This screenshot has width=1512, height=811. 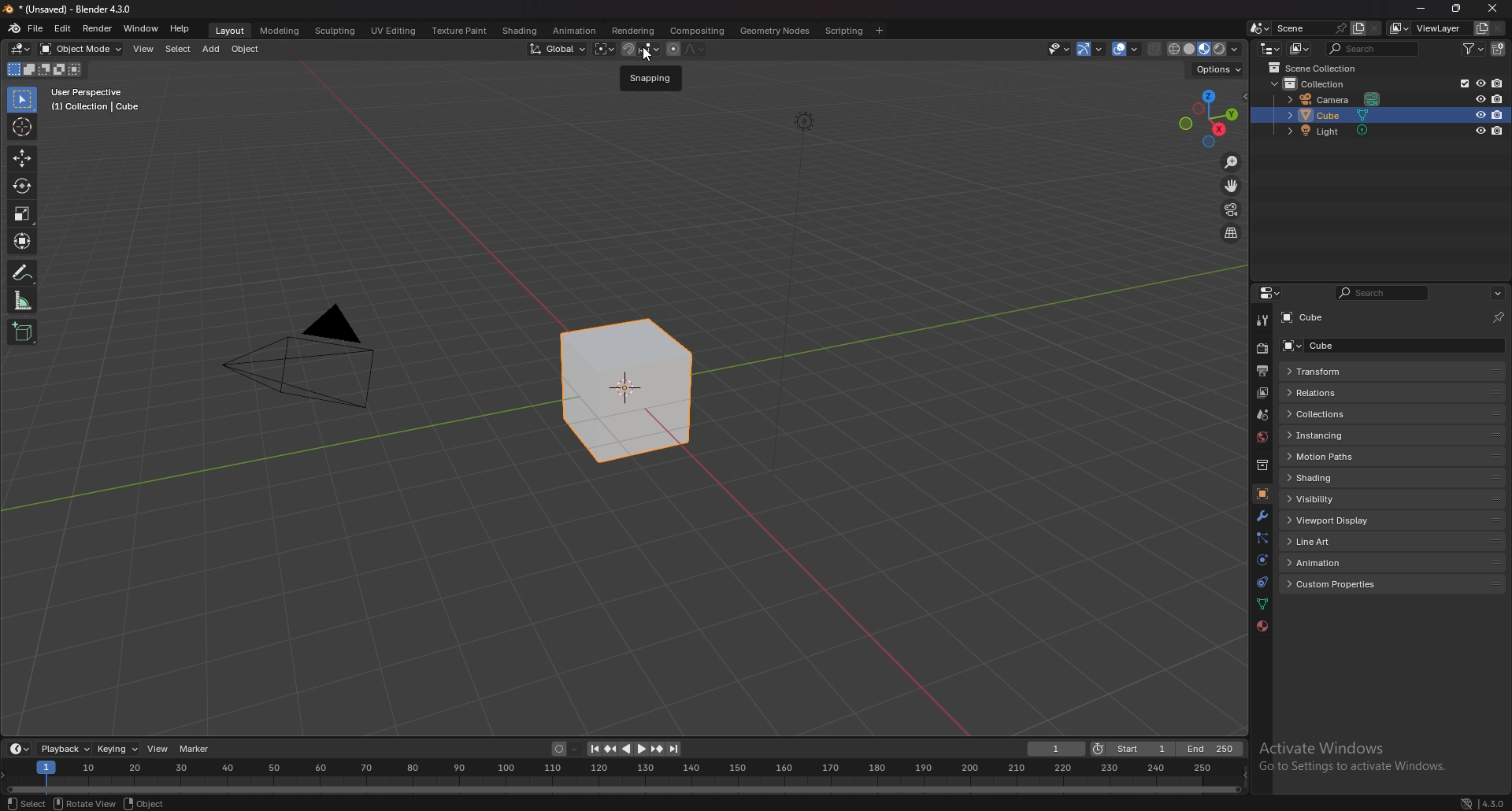 I want to click on remove view layer, so click(x=1499, y=28).